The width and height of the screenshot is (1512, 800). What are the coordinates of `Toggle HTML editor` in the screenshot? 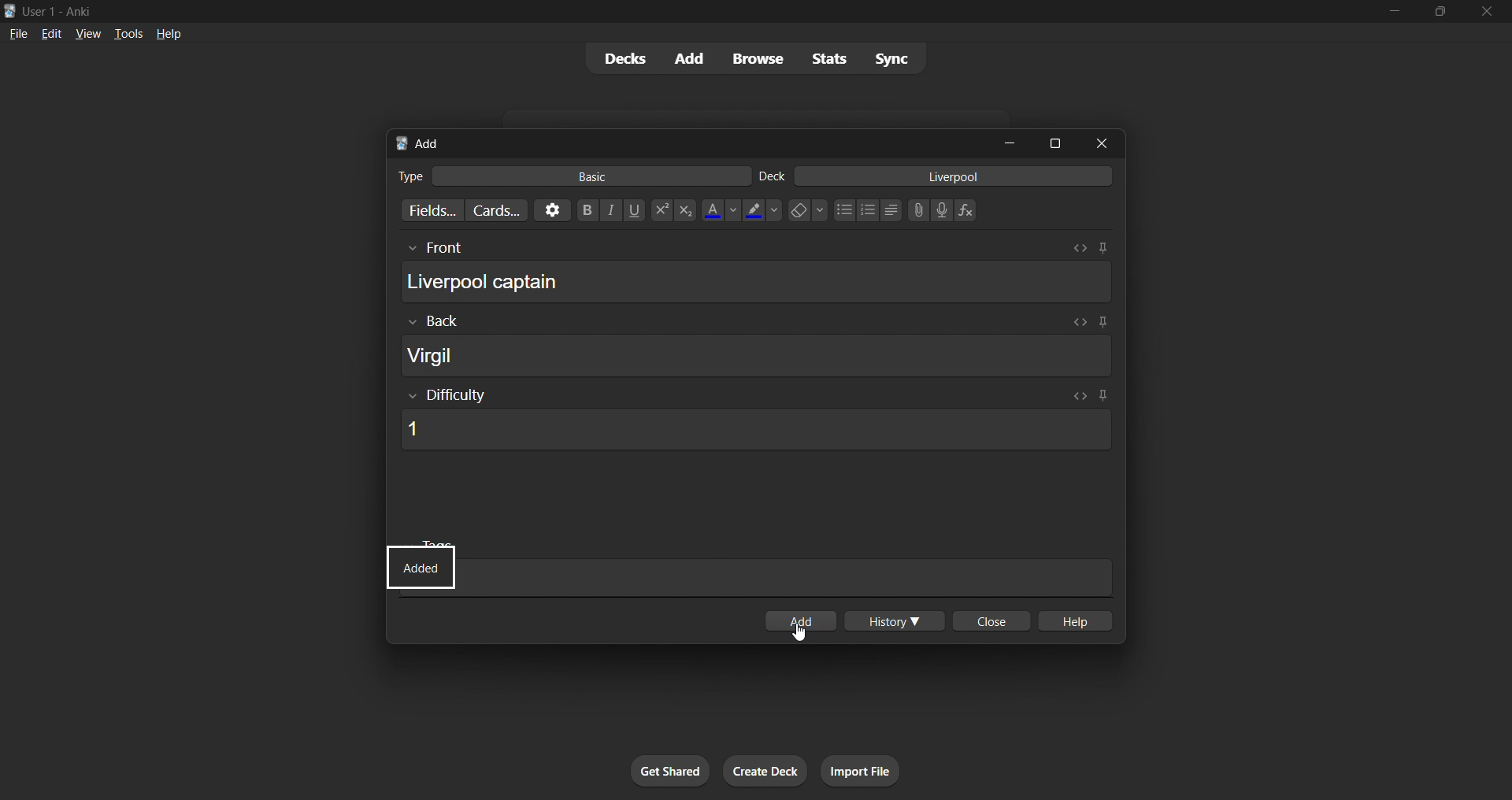 It's located at (1080, 248).